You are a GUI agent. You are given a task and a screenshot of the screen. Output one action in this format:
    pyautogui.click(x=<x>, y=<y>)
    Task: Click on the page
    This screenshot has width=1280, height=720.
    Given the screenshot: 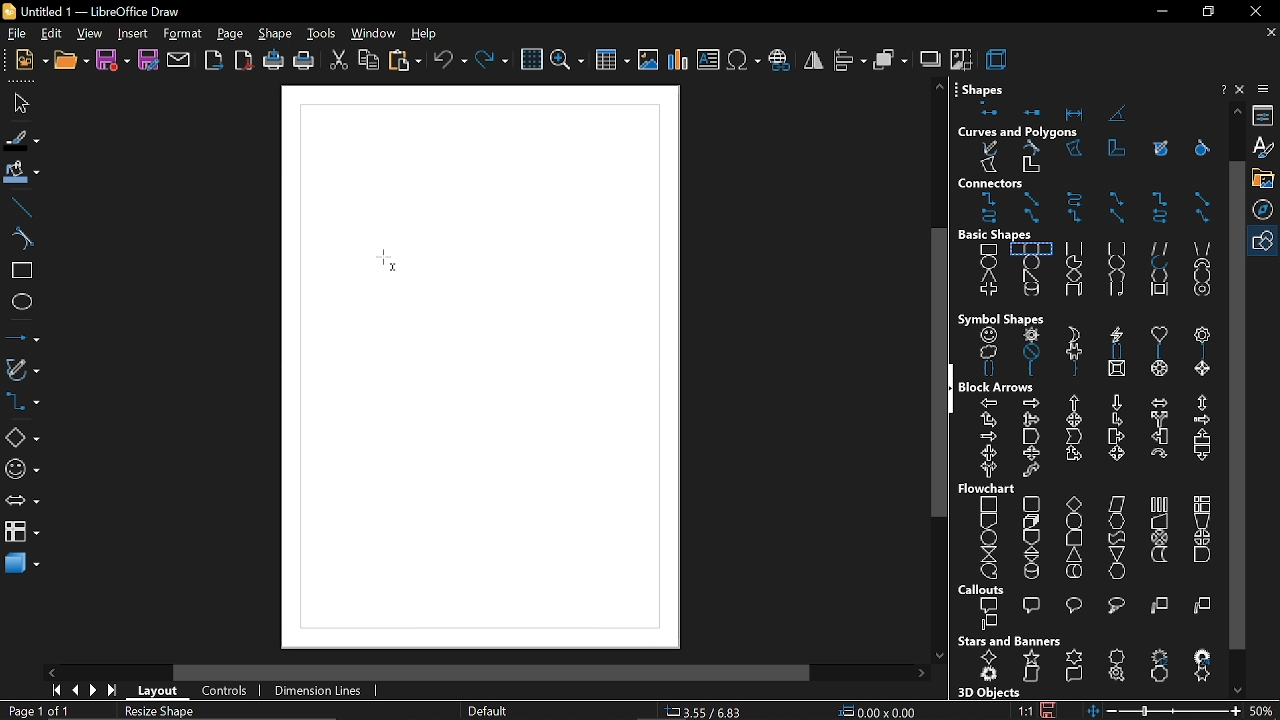 What is the action you would take?
    pyautogui.click(x=231, y=35)
    